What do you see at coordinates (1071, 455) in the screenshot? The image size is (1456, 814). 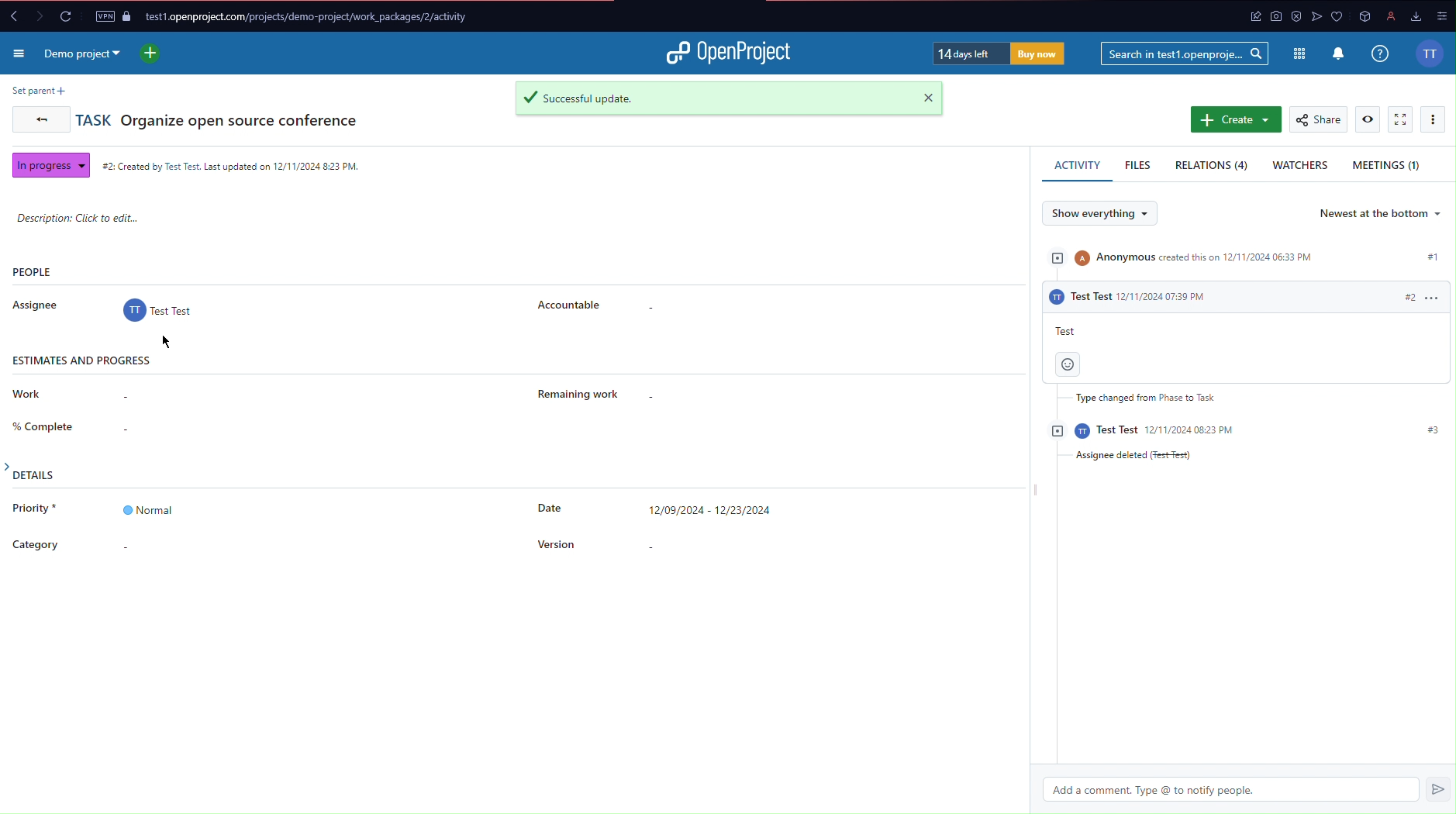 I see `Assignee deleted` at bounding box center [1071, 455].